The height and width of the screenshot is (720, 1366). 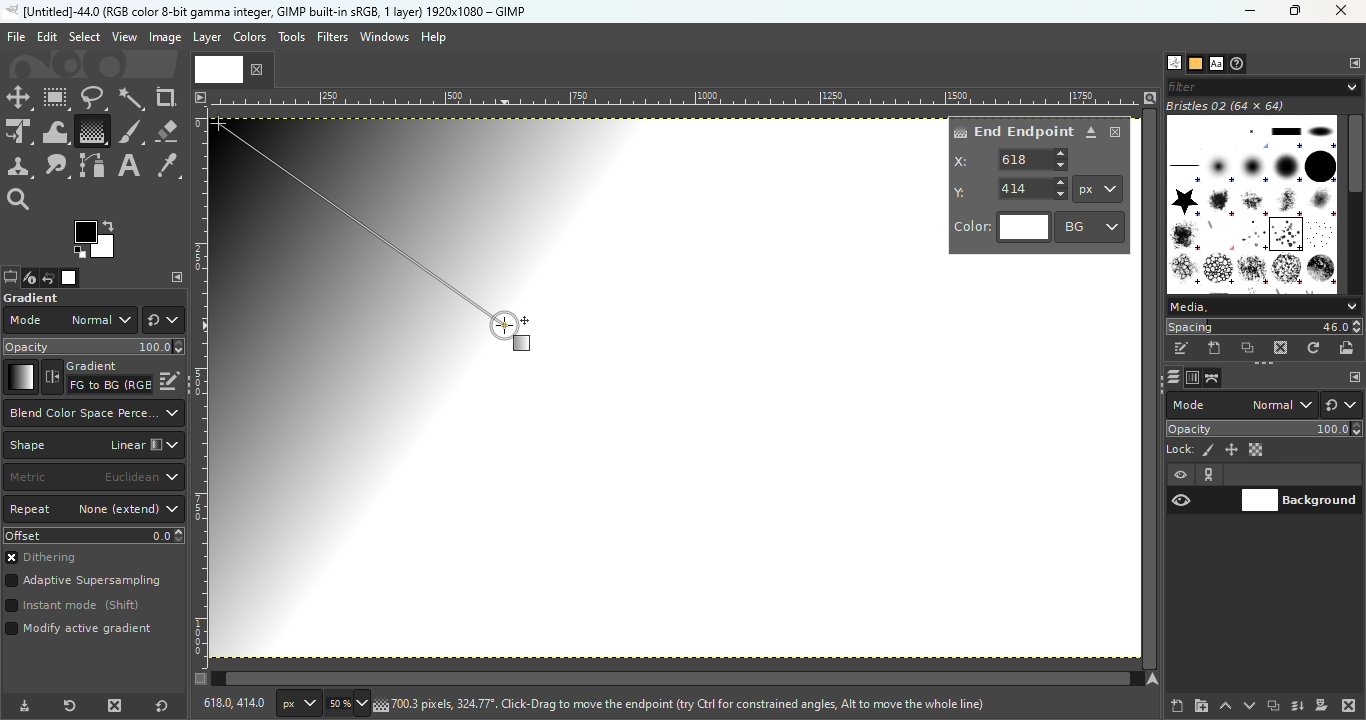 I want to click on Edit this brush, so click(x=1181, y=349).